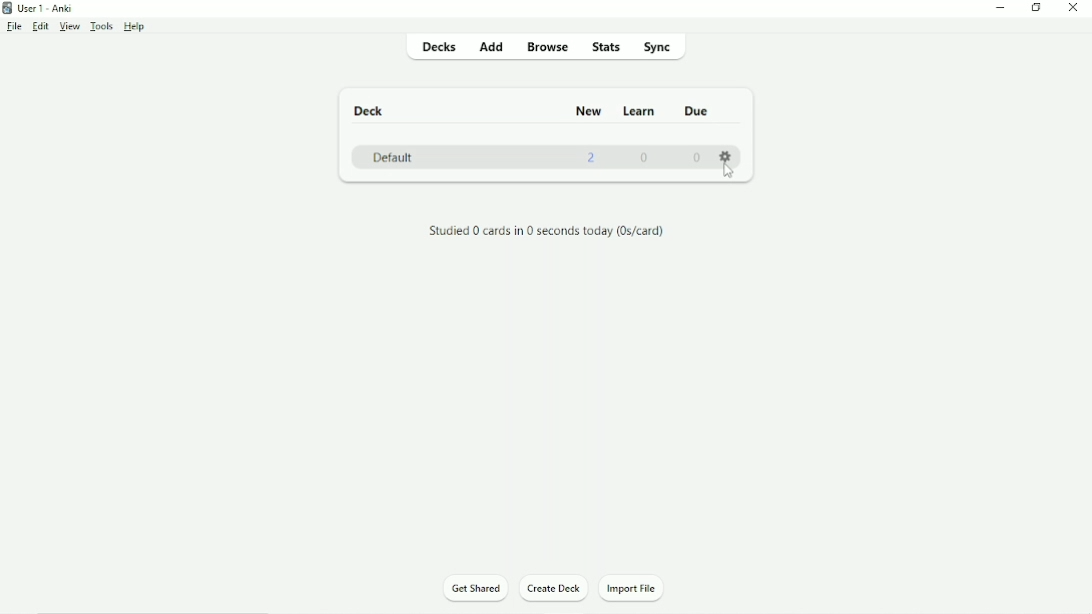 The width and height of the screenshot is (1092, 614). Describe the element at coordinates (370, 111) in the screenshot. I see `Deck` at that location.